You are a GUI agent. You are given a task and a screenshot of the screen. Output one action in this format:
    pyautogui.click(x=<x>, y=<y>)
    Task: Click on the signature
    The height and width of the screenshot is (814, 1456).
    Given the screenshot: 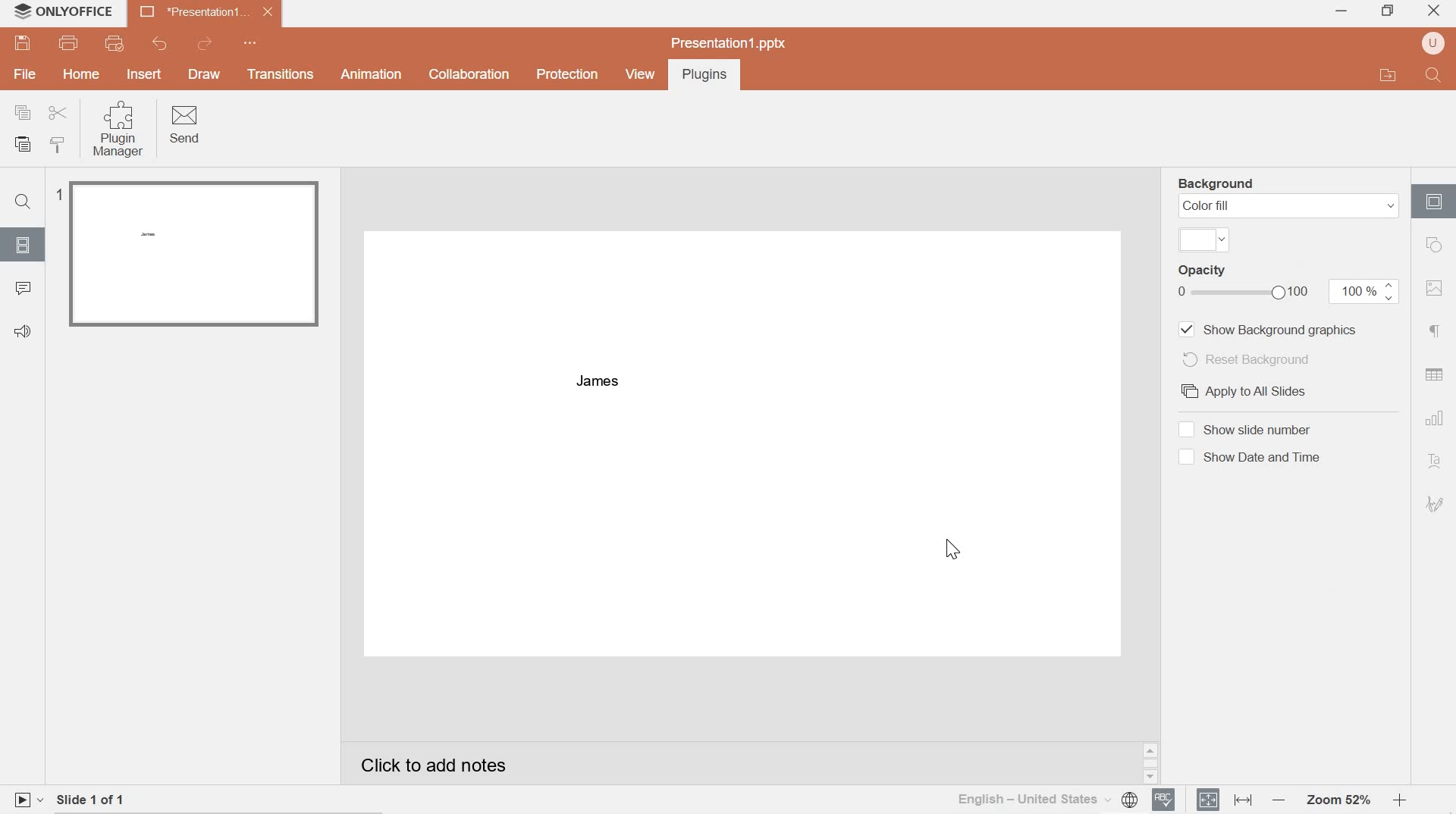 What is the action you would take?
    pyautogui.click(x=1436, y=504)
    